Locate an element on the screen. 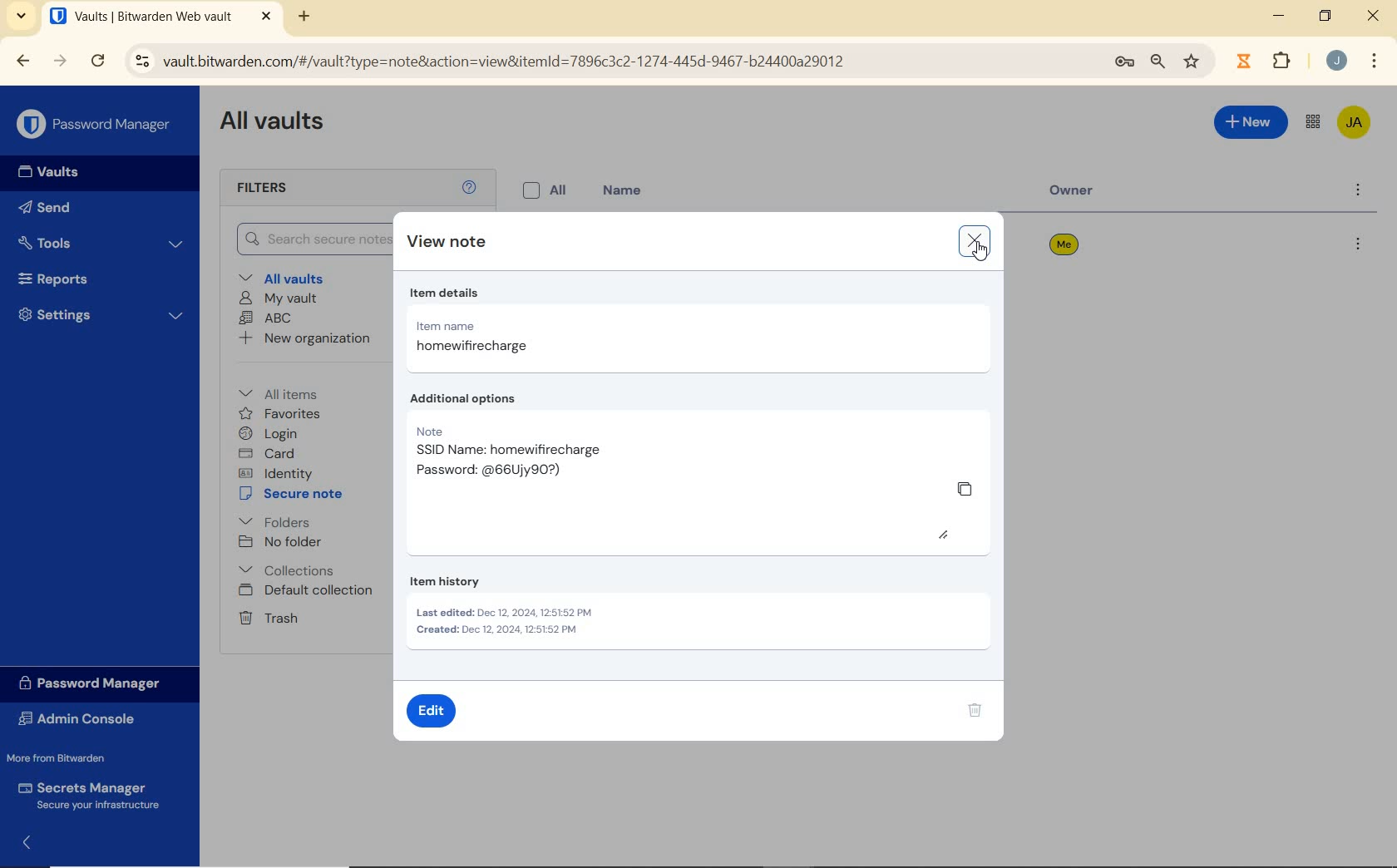 This screenshot has height=868, width=1397. No folder is located at coordinates (280, 542).